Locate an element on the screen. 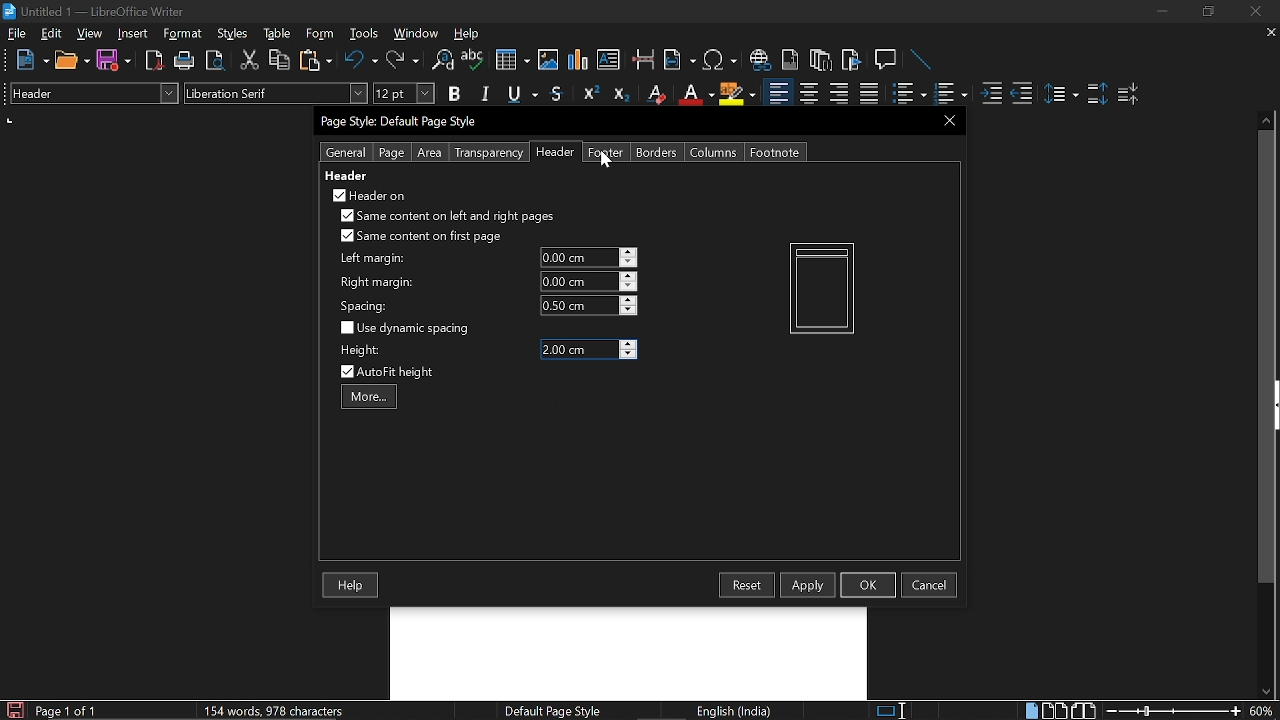 The height and width of the screenshot is (720, 1280). right margin is located at coordinates (377, 283).